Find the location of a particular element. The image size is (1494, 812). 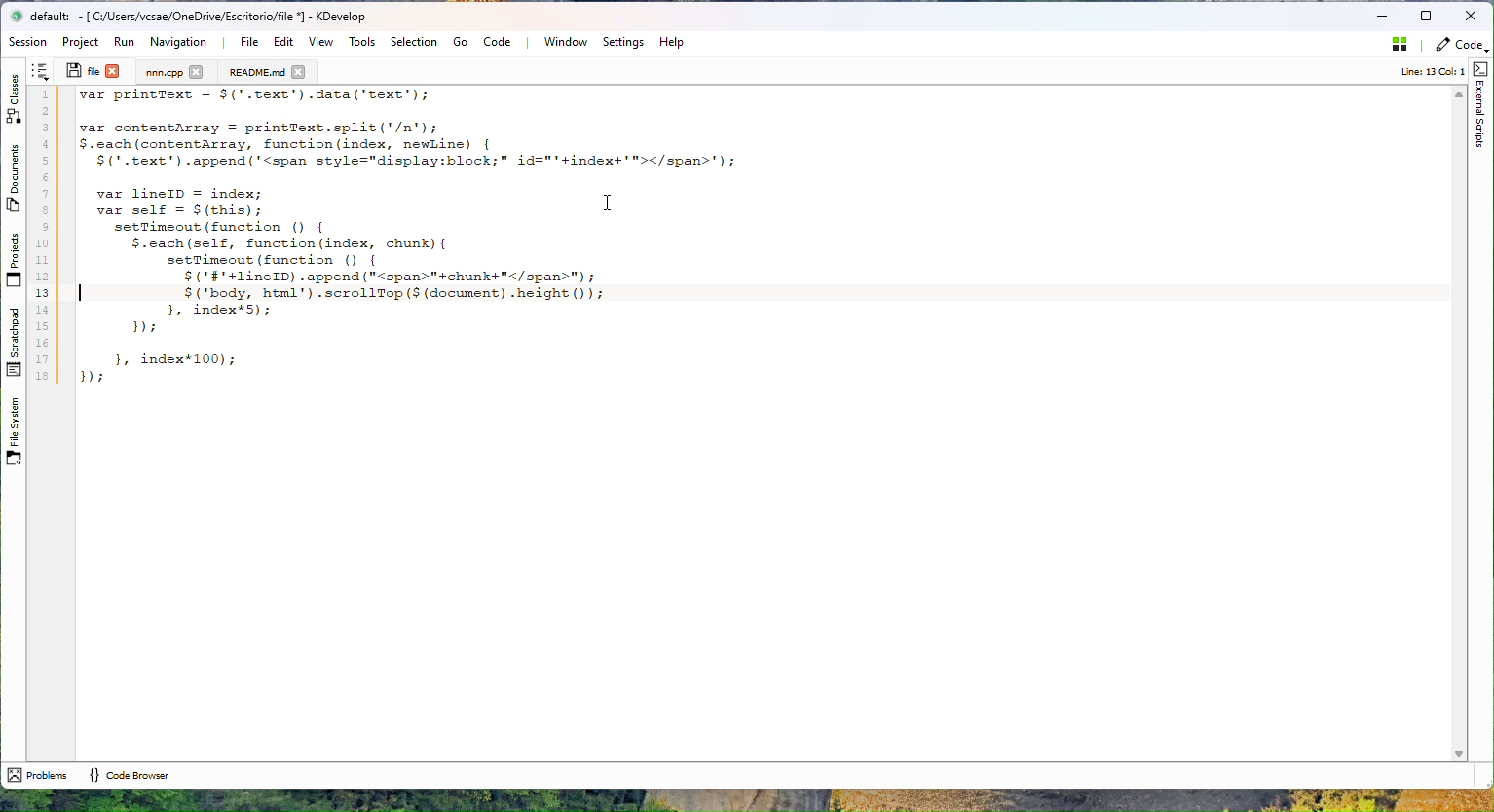

Project is located at coordinates (84, 42).